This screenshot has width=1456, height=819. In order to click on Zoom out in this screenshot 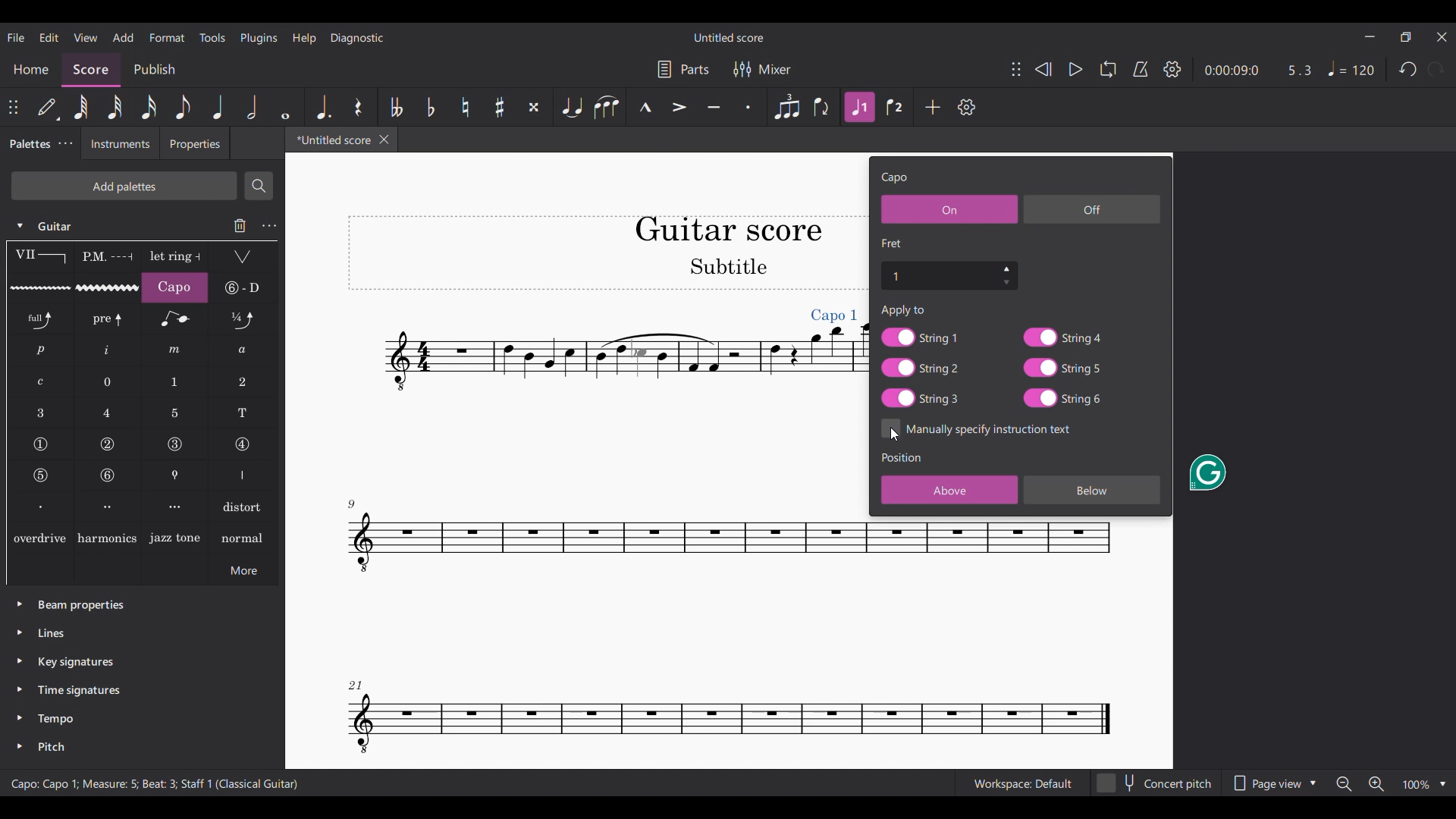, I will do `click(1345, 784)`.